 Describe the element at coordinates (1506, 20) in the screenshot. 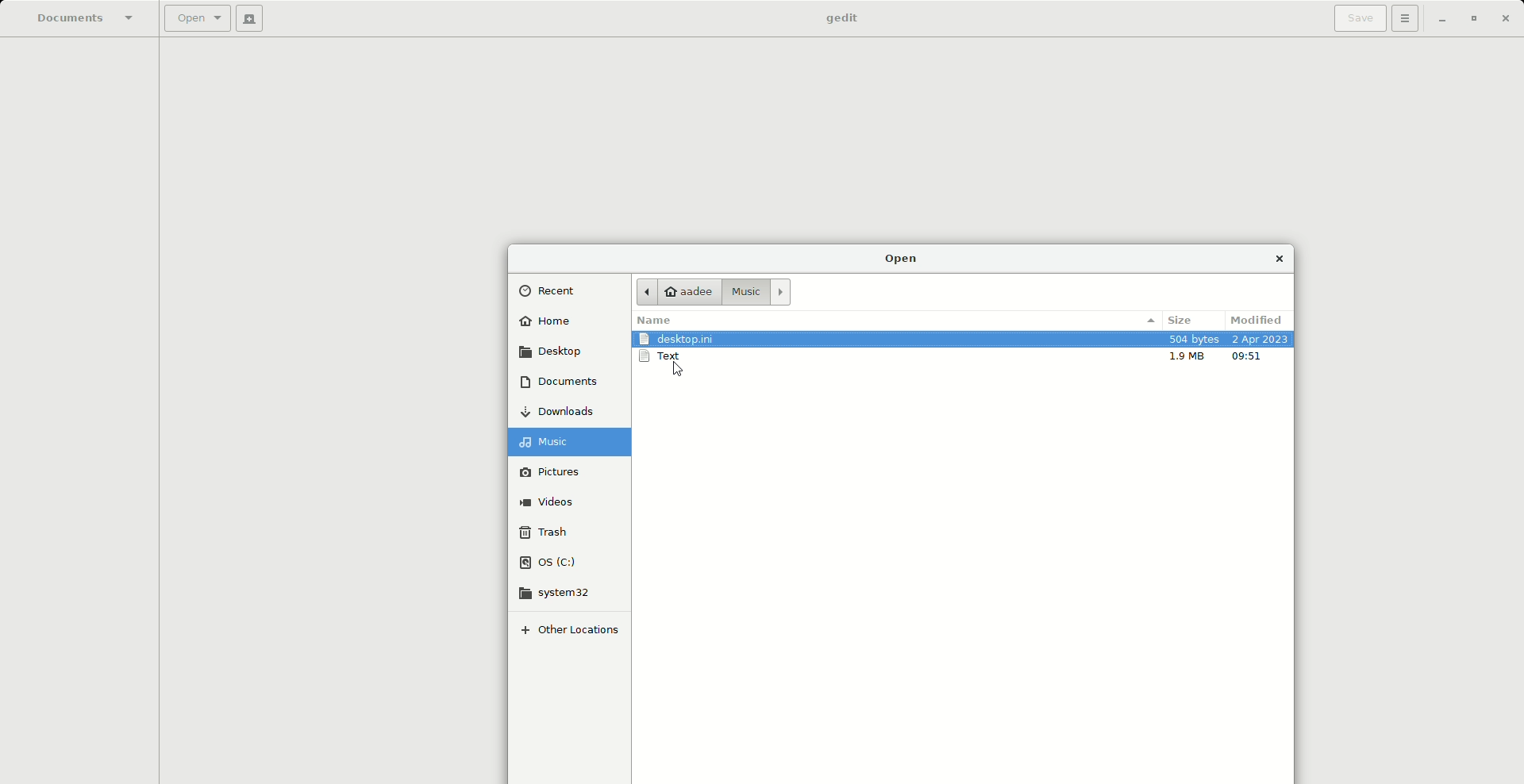

I see `Close` at that location.